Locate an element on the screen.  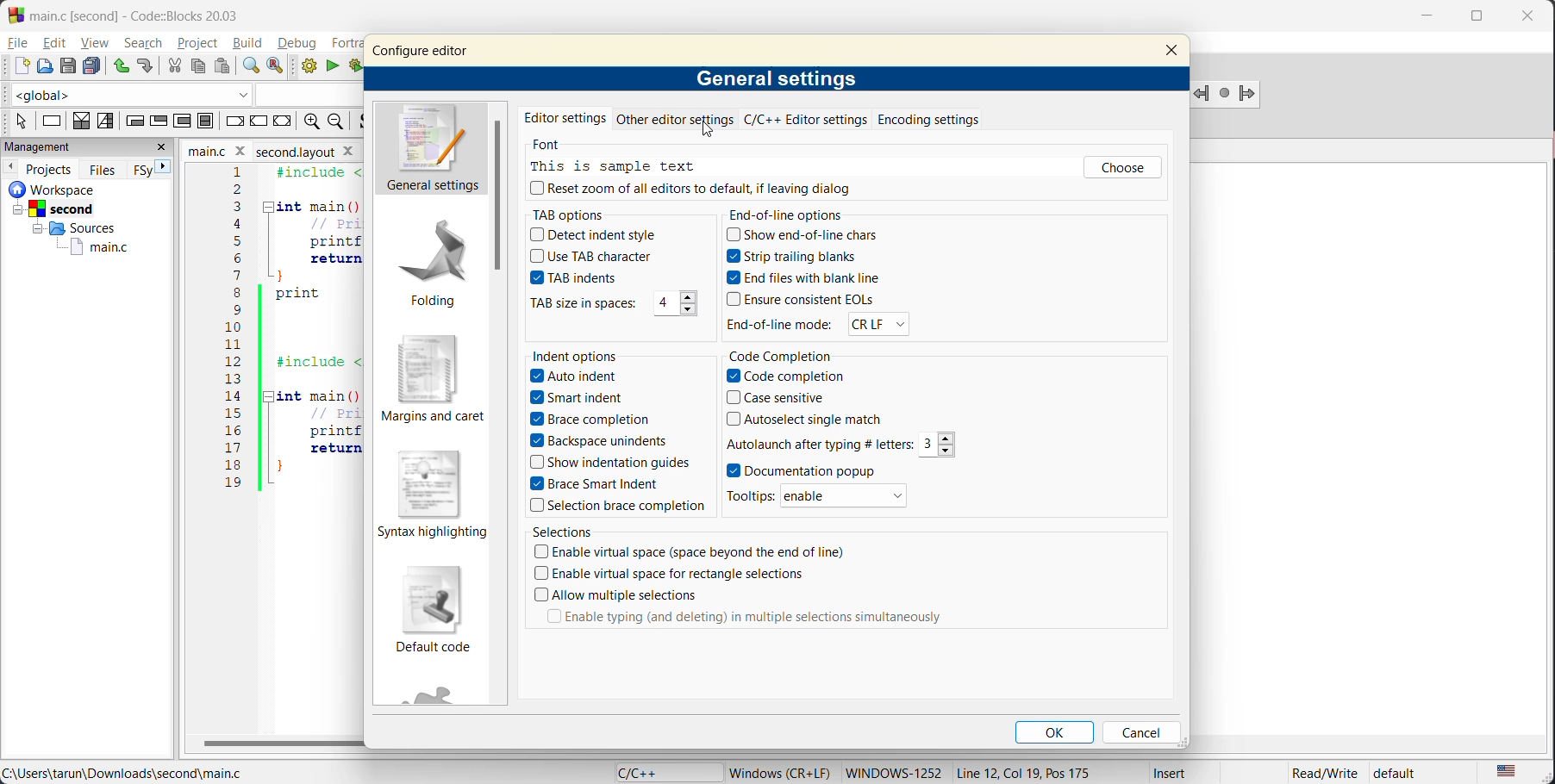
file name is located at coordinates (266, 151).